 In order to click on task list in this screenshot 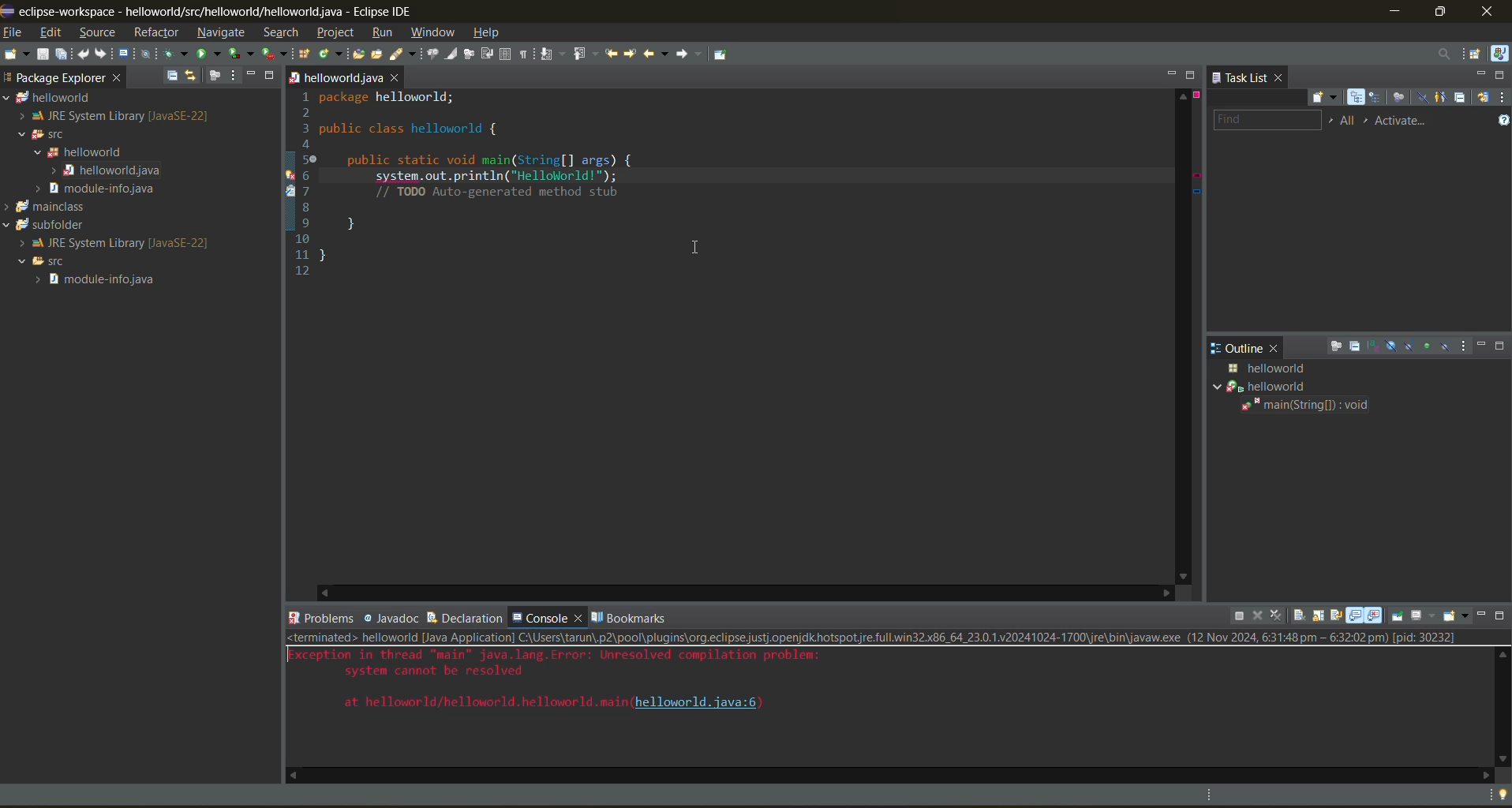, I will do `click(1243, 77)`.